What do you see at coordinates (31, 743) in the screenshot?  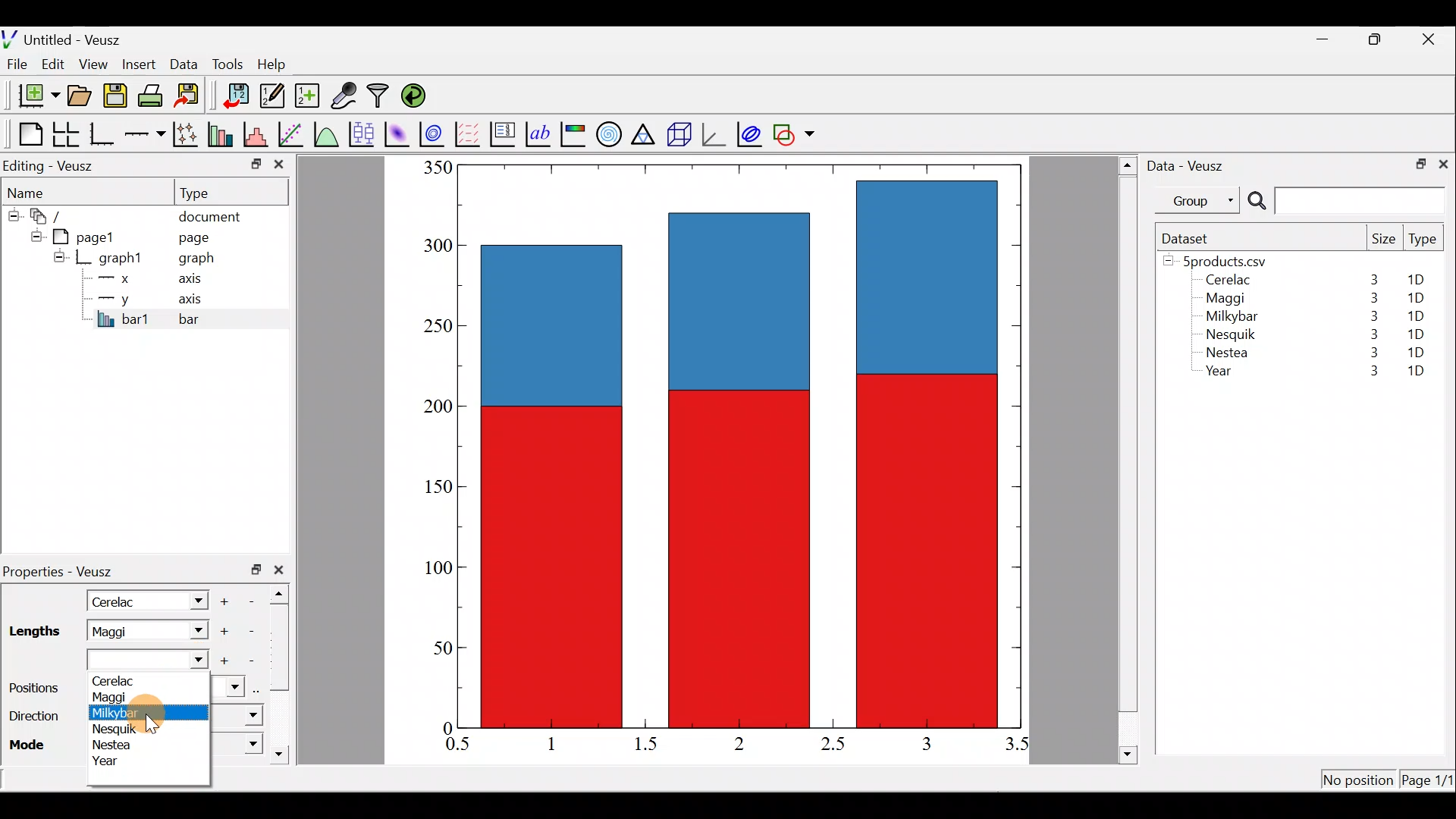 I see `Mode` at bounding box center [31, 743].